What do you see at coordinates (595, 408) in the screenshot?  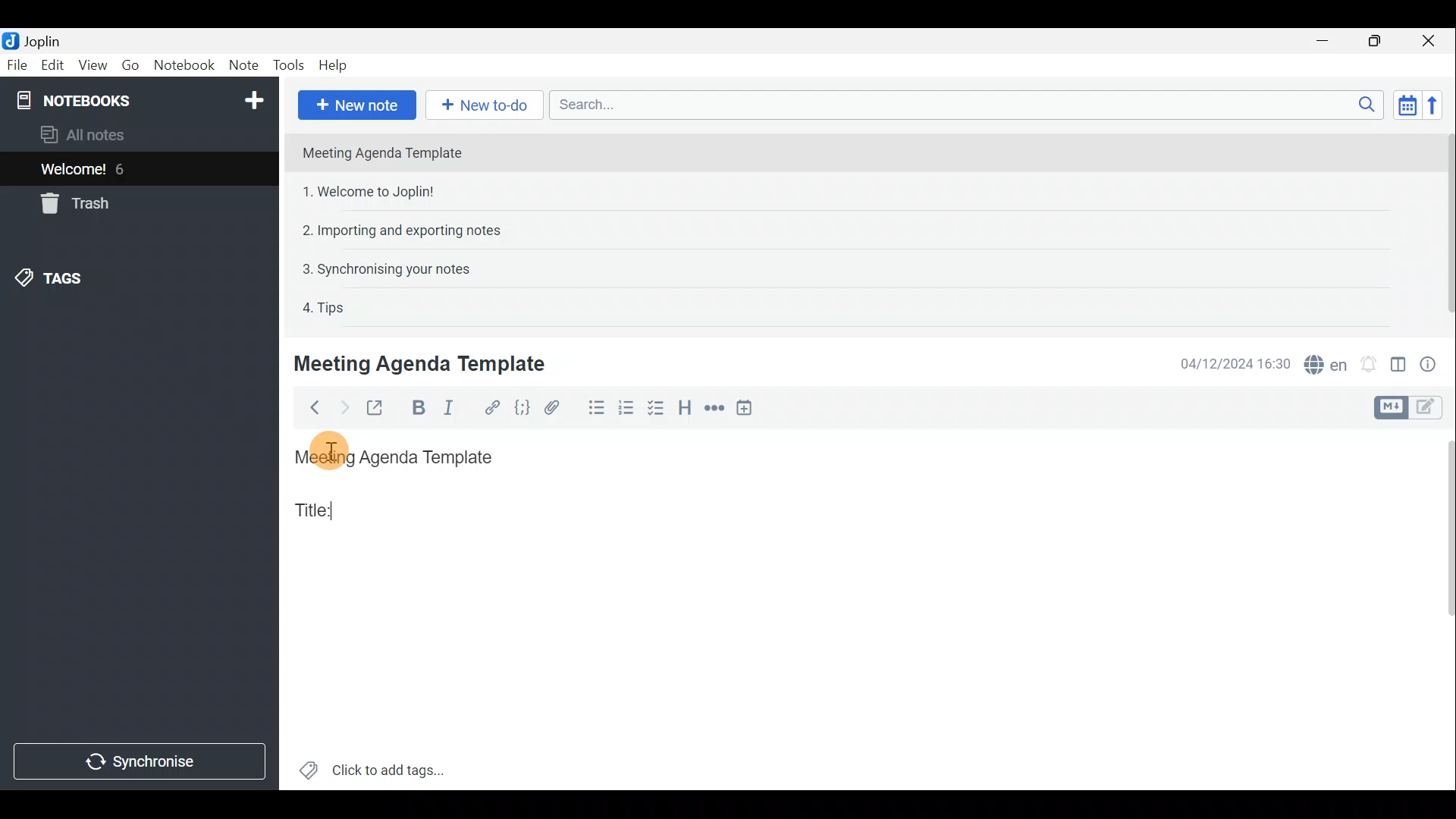 I see `Bulleted list` at bounding box center [595, 408].